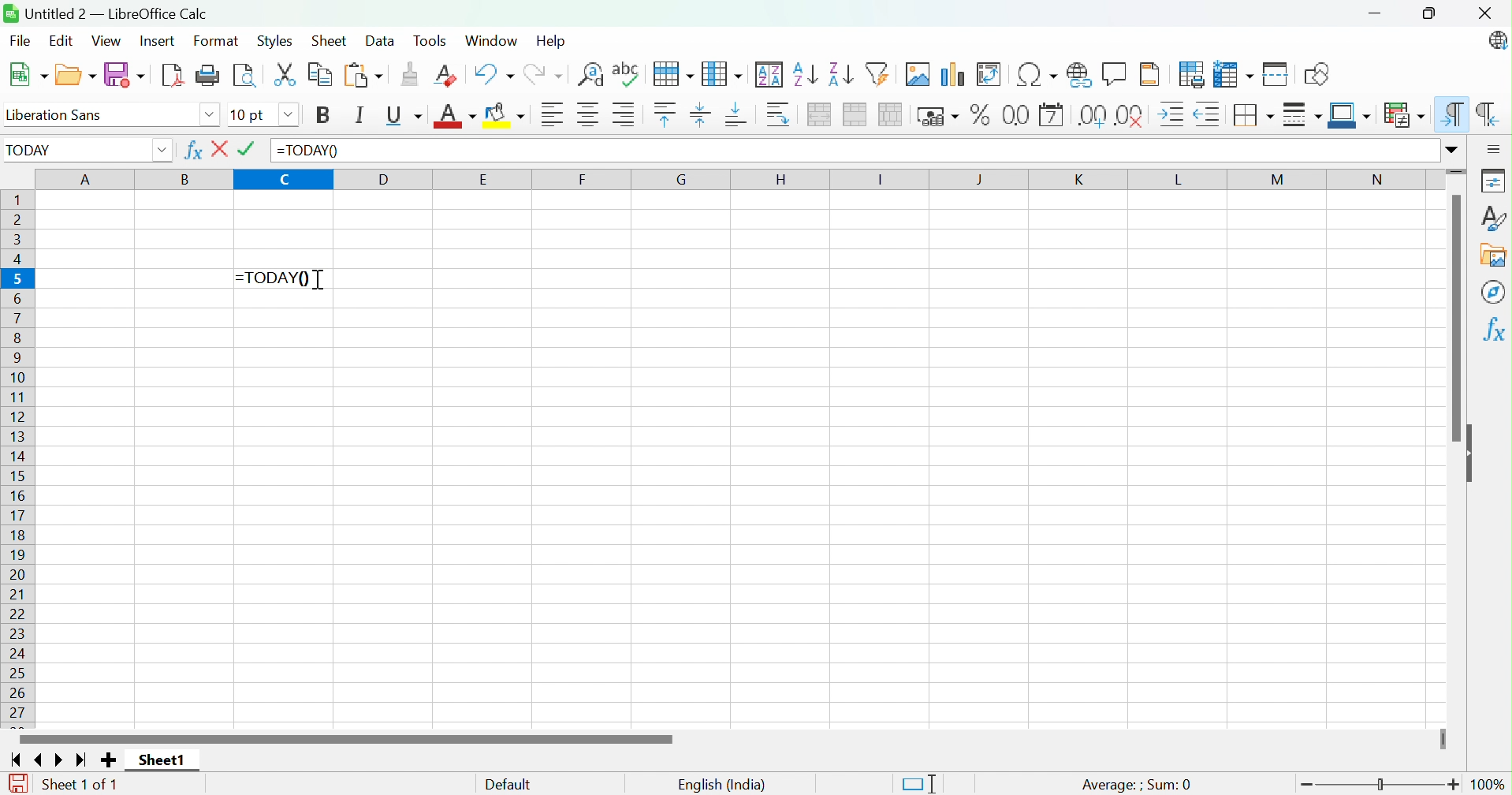 Image resolution: width=1512 pixels, height=795 pixels. I want to click on Columns names, so click(738, 181).